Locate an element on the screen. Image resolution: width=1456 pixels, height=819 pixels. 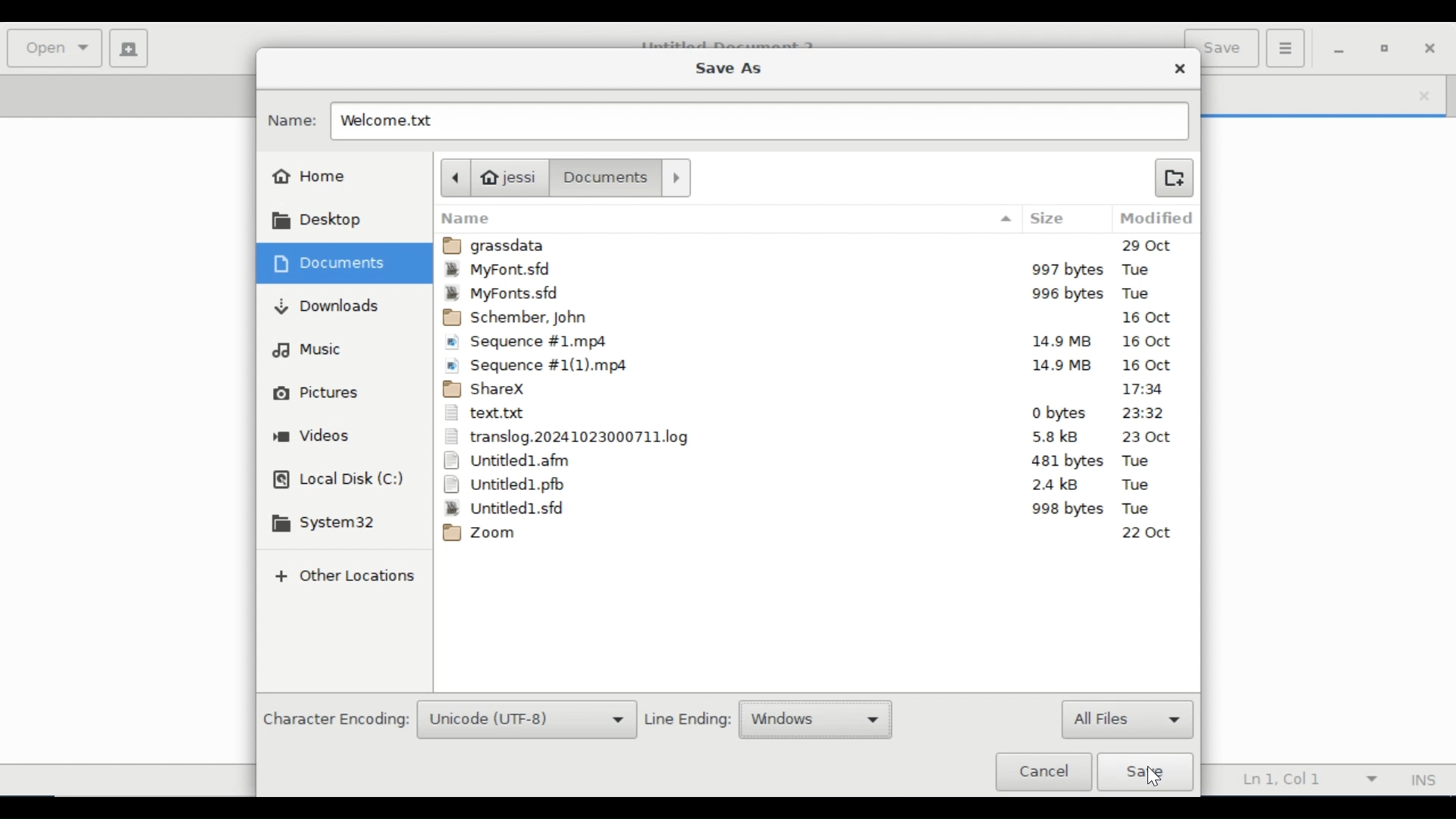
Close is located at coordinates (1181, 69).